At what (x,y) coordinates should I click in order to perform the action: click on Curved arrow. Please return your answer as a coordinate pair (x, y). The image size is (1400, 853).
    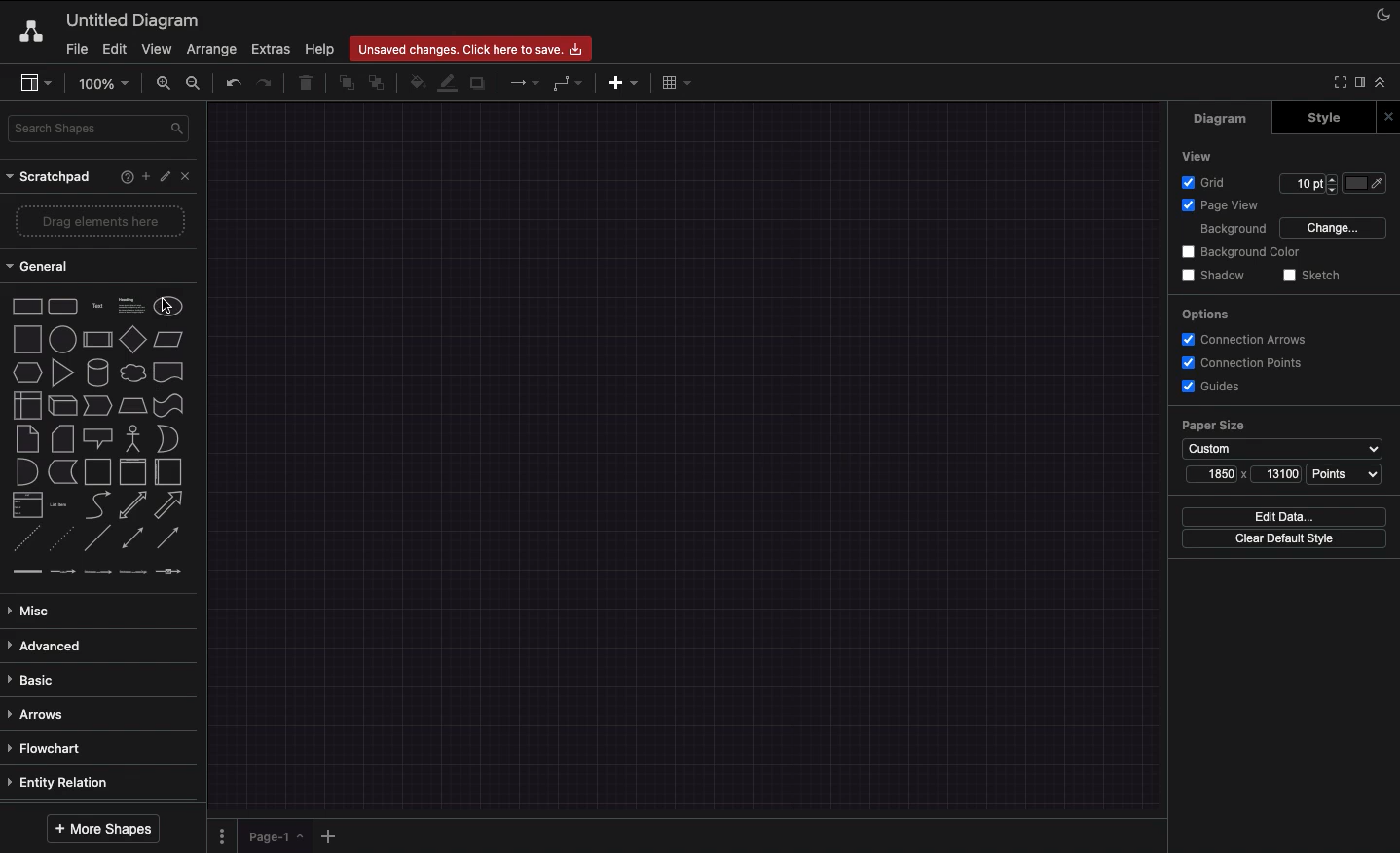
    Looking at the image, I should click on (97, 503).